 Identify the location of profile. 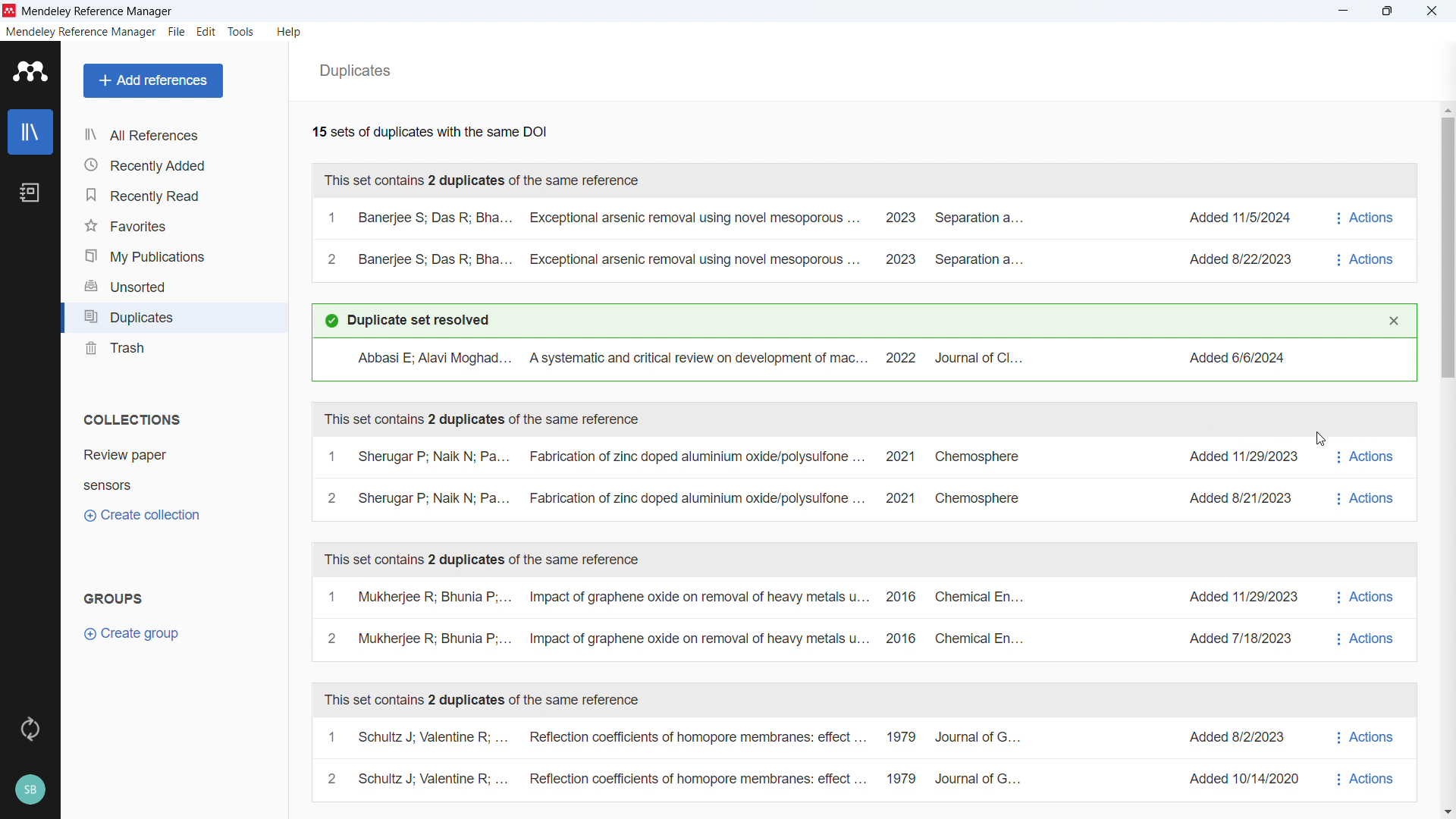
(29, 789).